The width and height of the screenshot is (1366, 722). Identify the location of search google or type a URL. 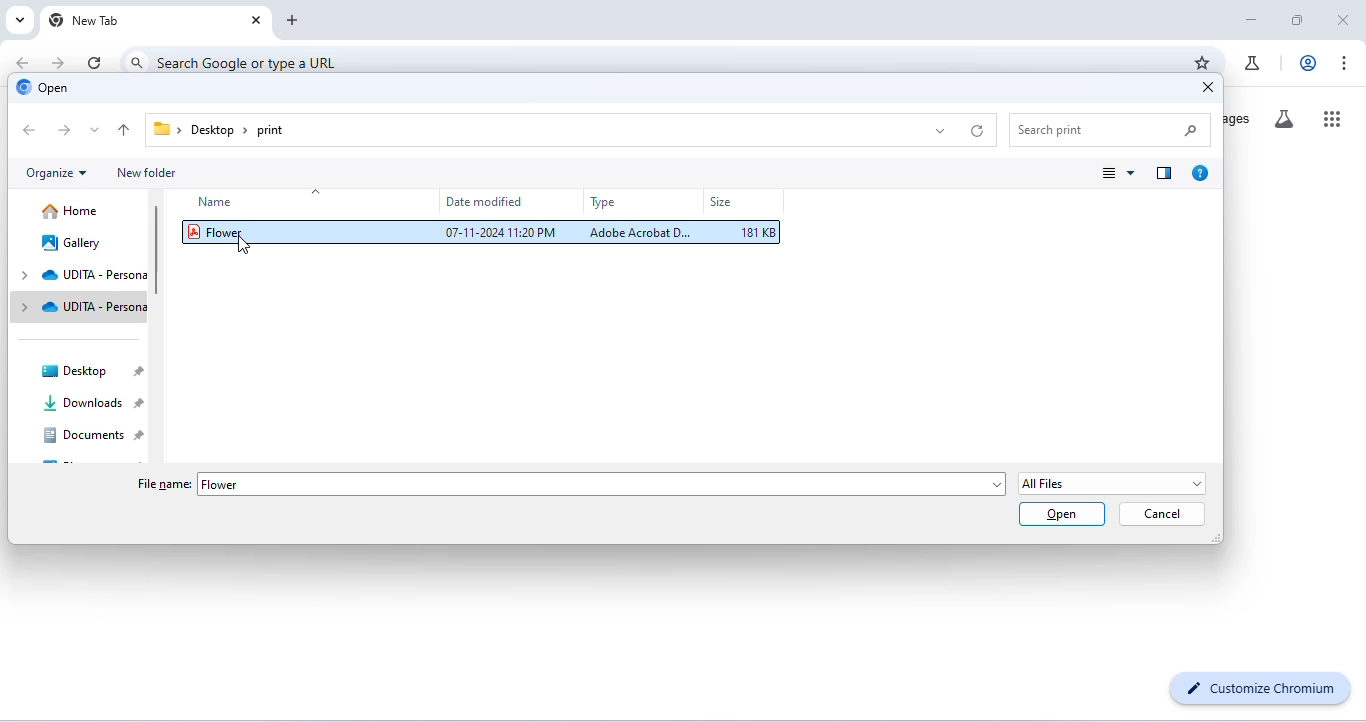
(247, 62).